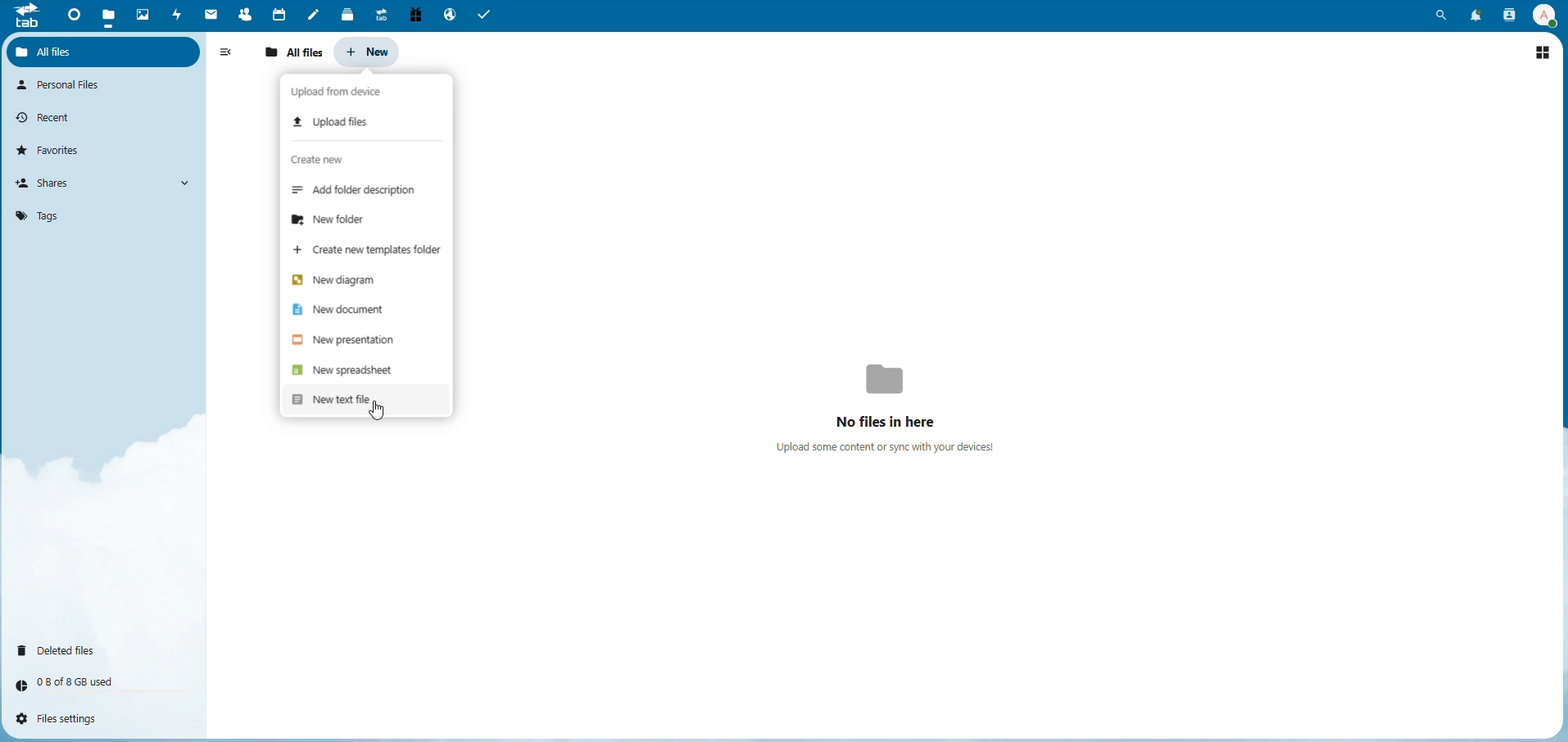 Image resolution: width=1568 pixels, height=742 pixels. I want to click on Files Settings, so click(66, 719).